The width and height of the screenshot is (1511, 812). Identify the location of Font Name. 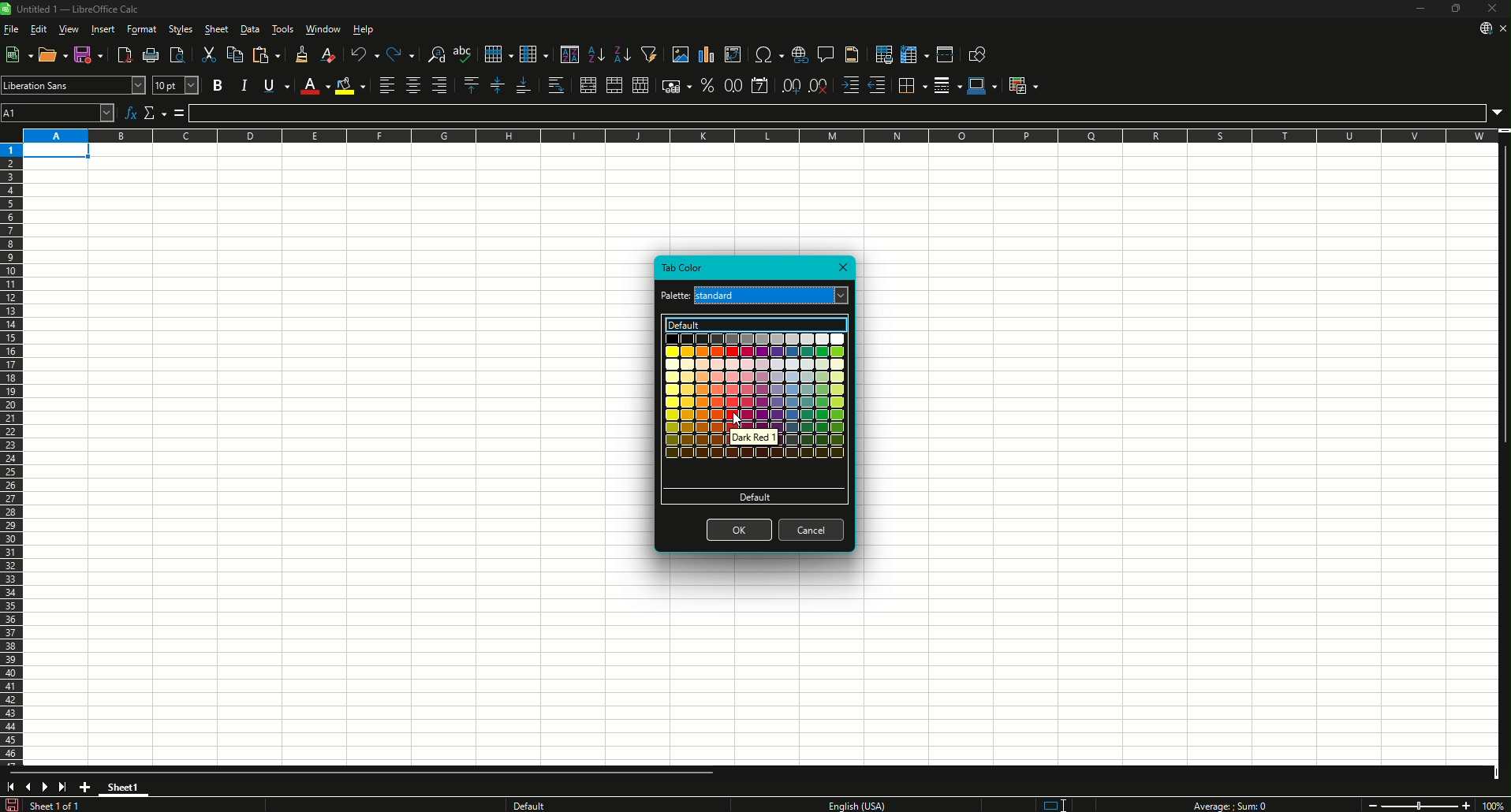
(138, 85).